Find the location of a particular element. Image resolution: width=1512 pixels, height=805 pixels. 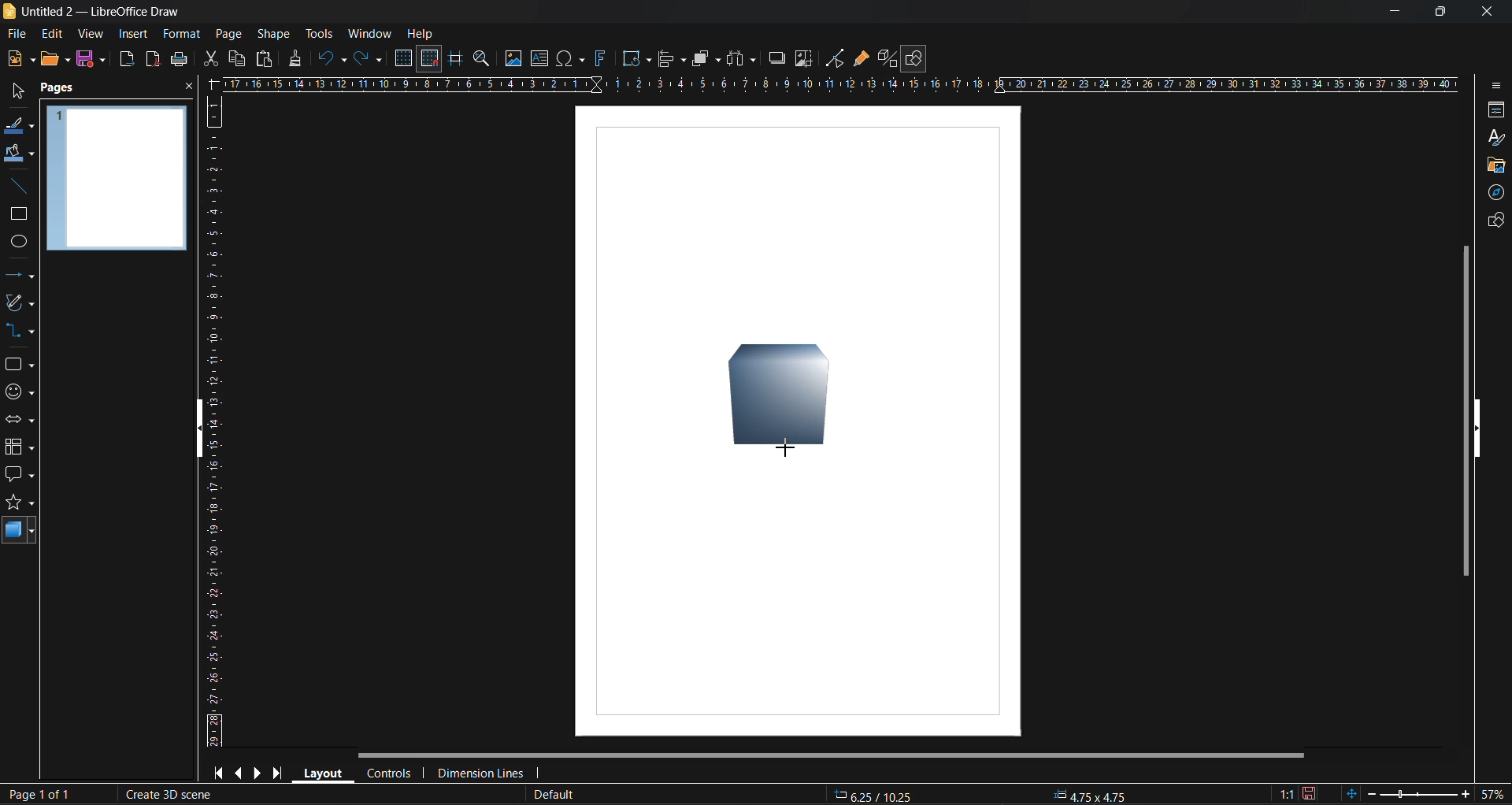

zoom in is located at coordinates (1466, 795).